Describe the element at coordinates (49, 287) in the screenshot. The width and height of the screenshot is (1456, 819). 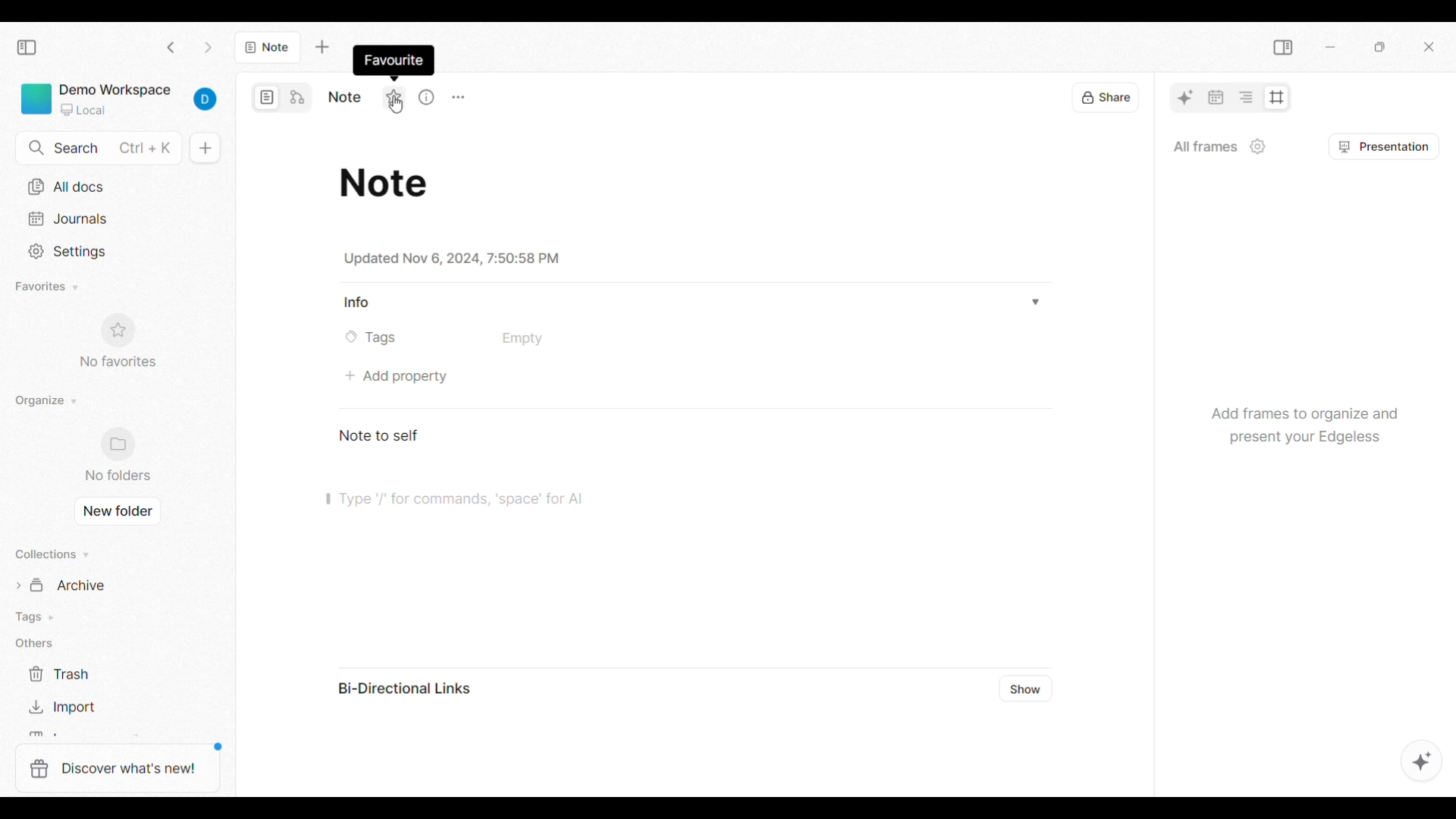
I see `Favorites +` at that location.